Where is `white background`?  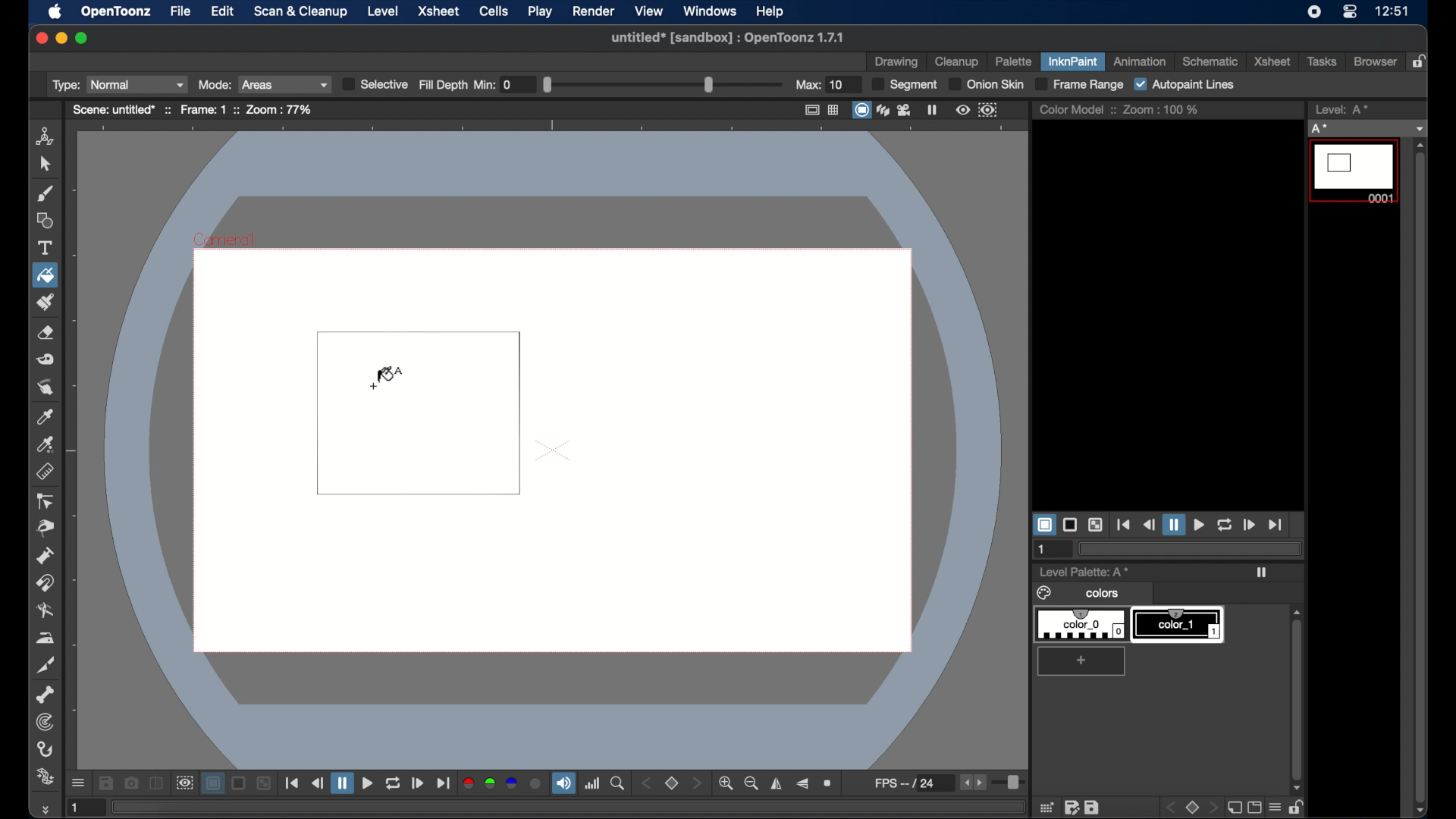
white background is located at coordinates (1043, 525).